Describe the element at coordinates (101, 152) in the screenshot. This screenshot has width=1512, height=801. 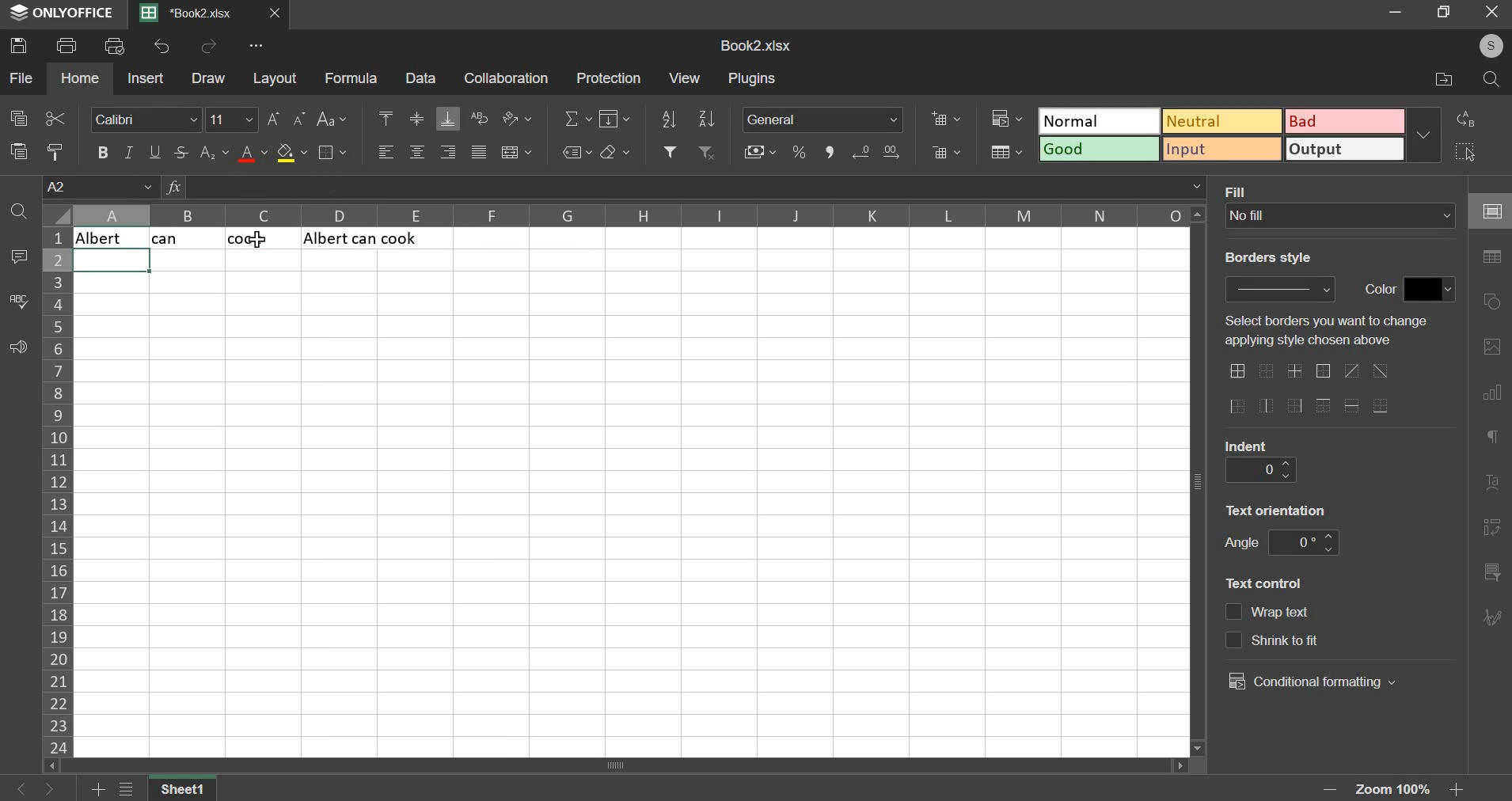
I see `bold` at that location.